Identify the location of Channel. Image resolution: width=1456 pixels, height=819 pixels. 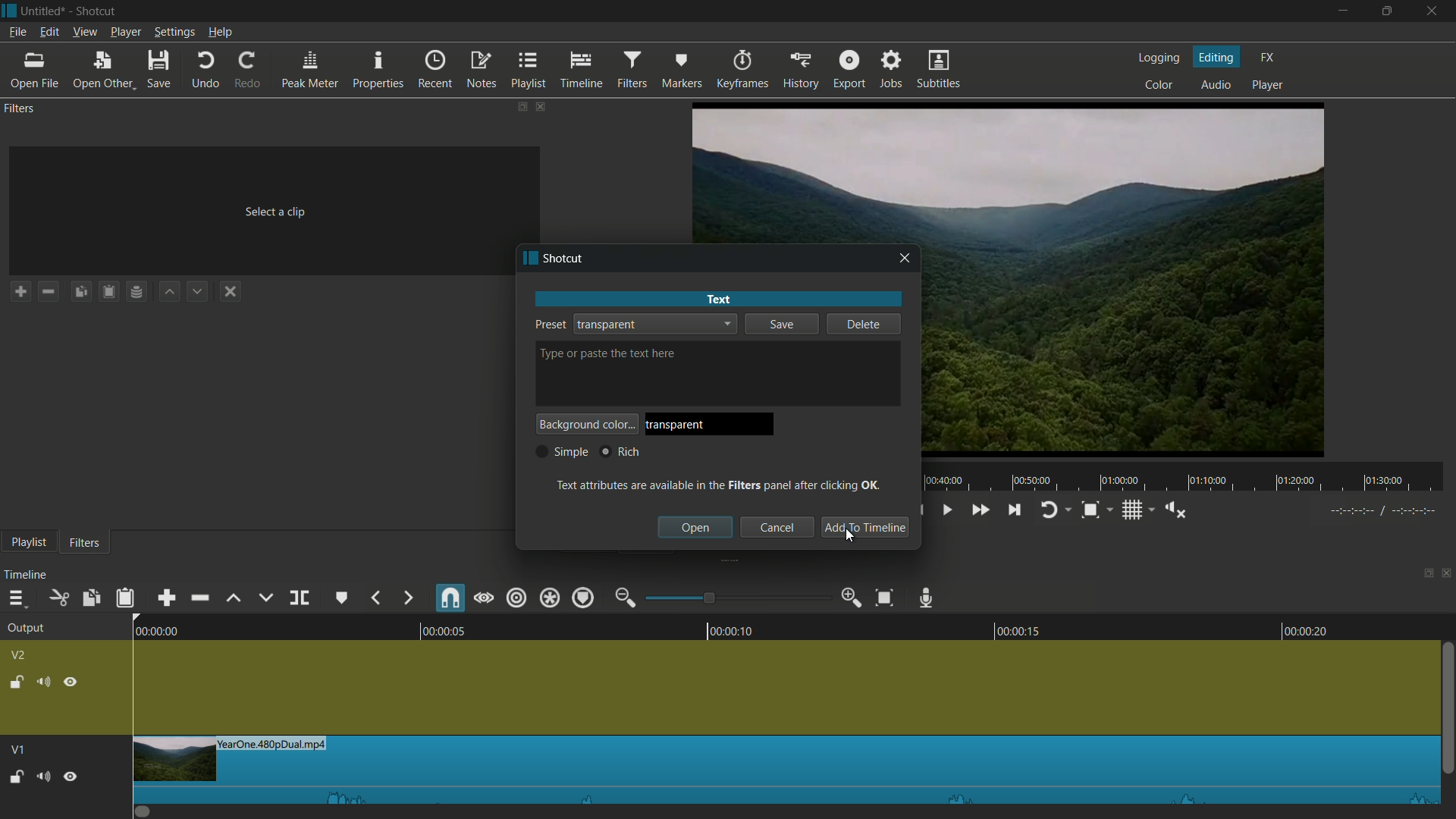
(137, 293).